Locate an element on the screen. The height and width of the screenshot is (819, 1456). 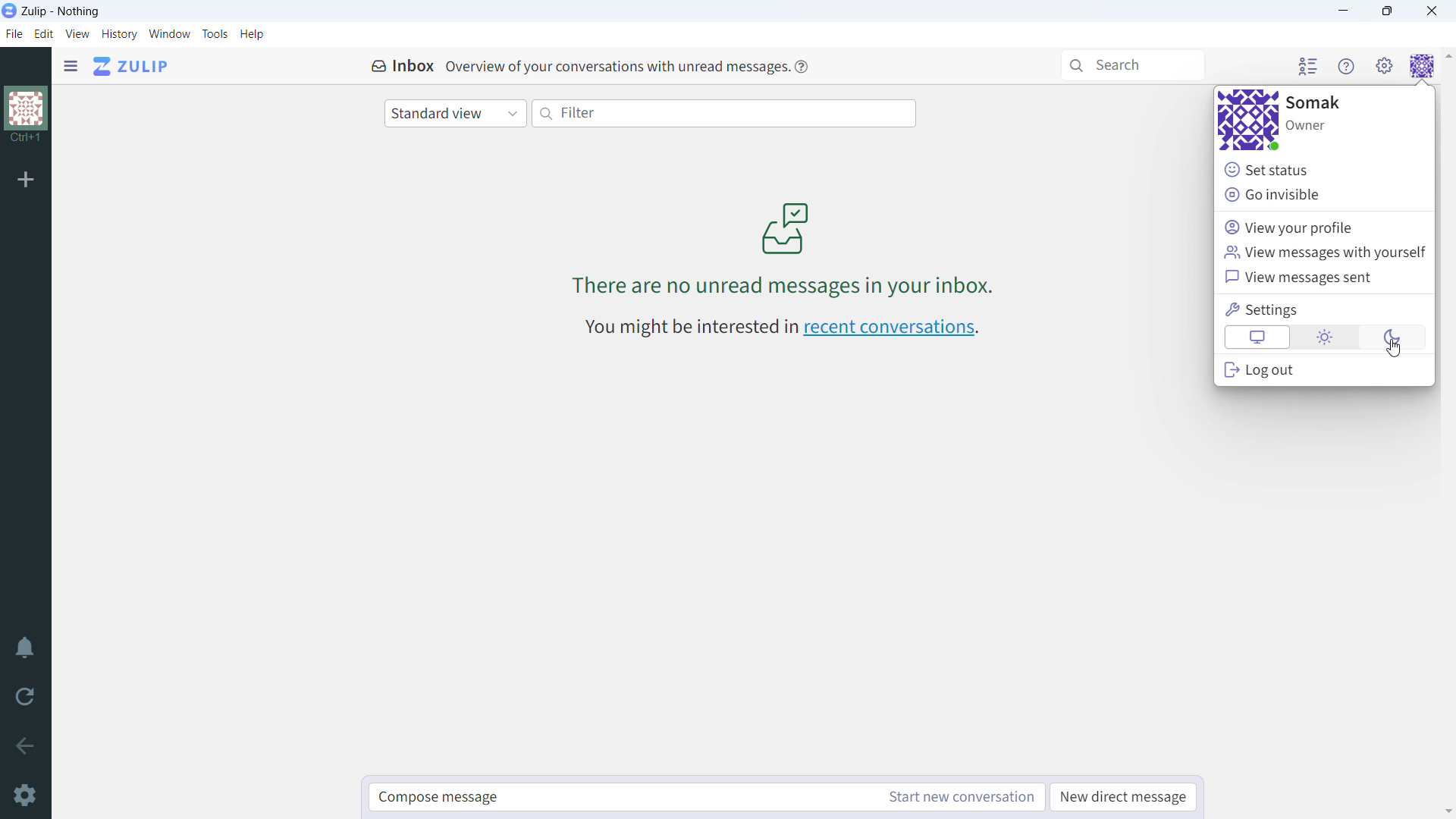
set status is located at coordinates (1322, 169).